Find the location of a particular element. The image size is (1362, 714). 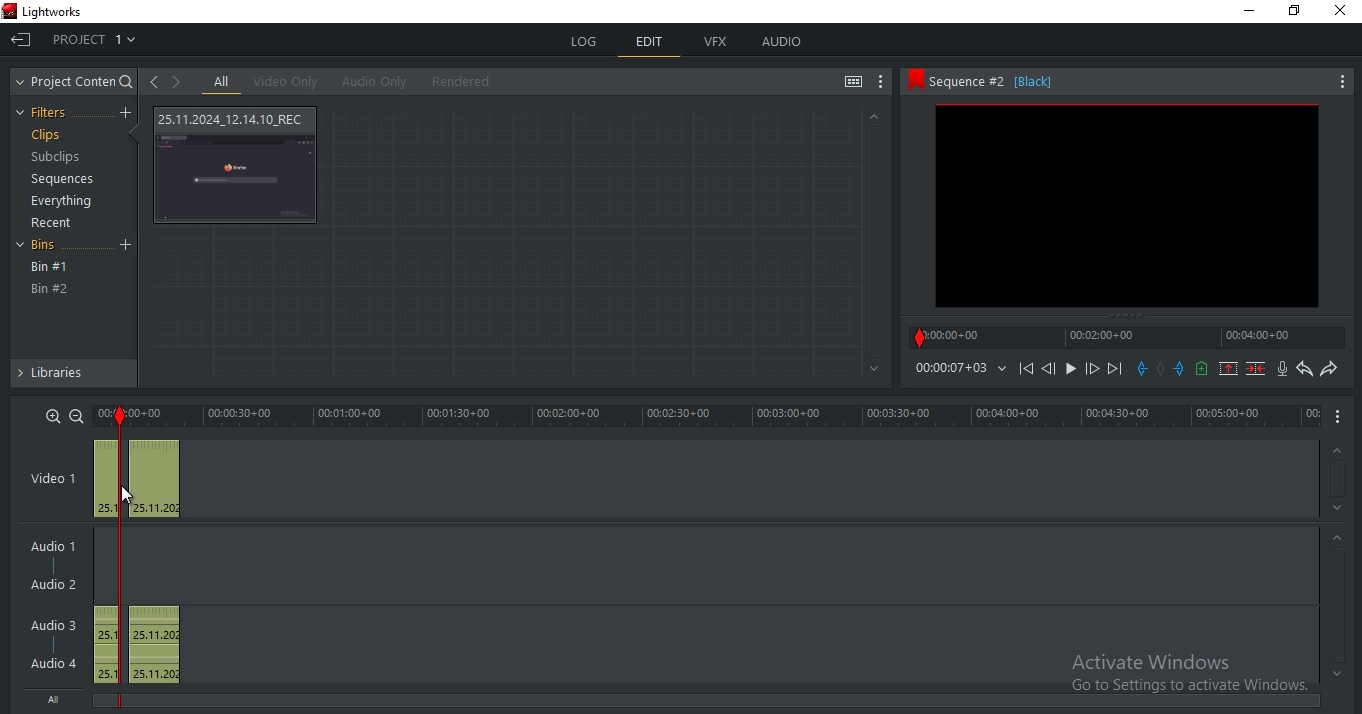

subclips is located at coordinates (58, 159).